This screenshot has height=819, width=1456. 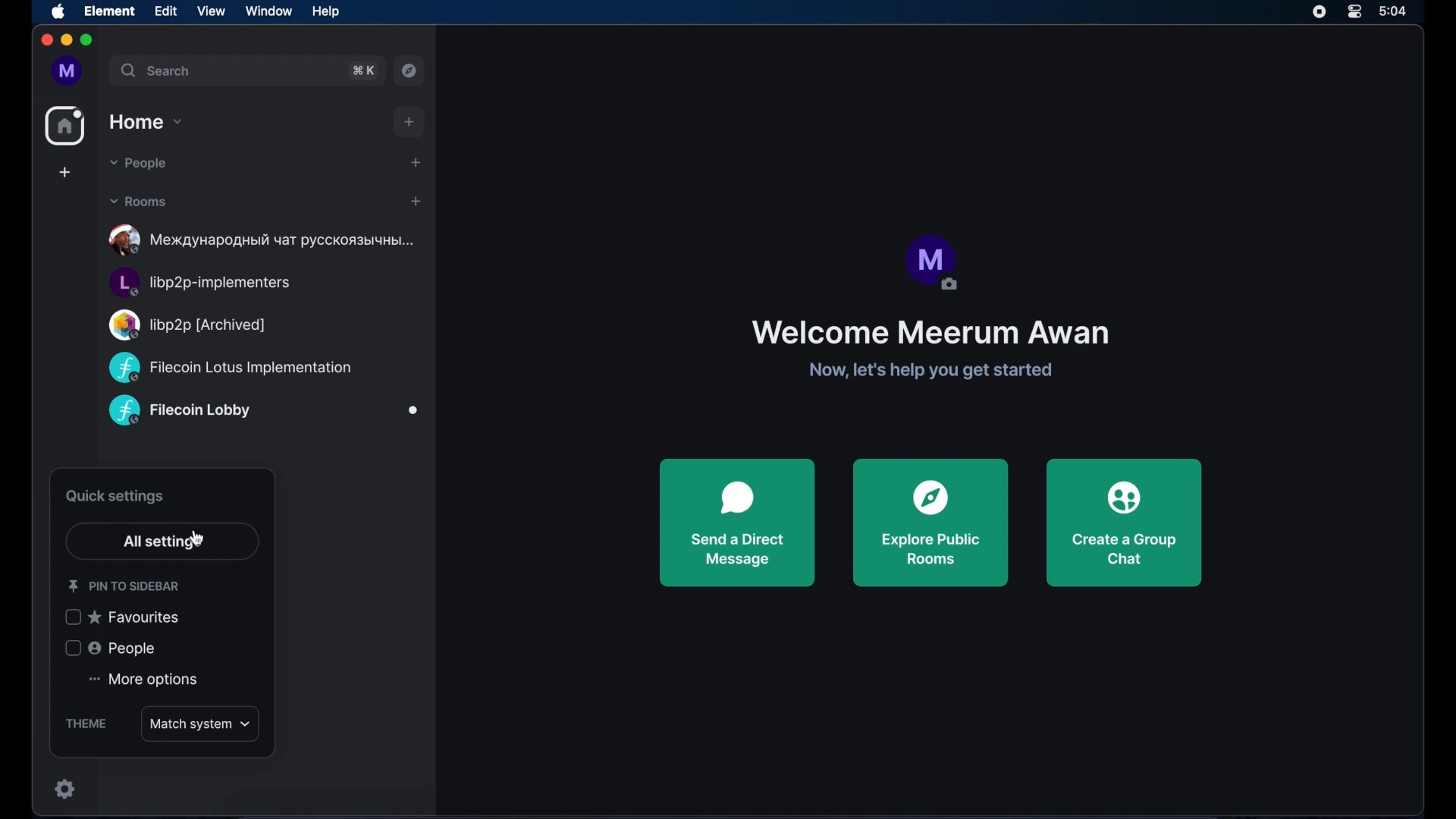 I want to click on settings, so click(x=68, y=788).